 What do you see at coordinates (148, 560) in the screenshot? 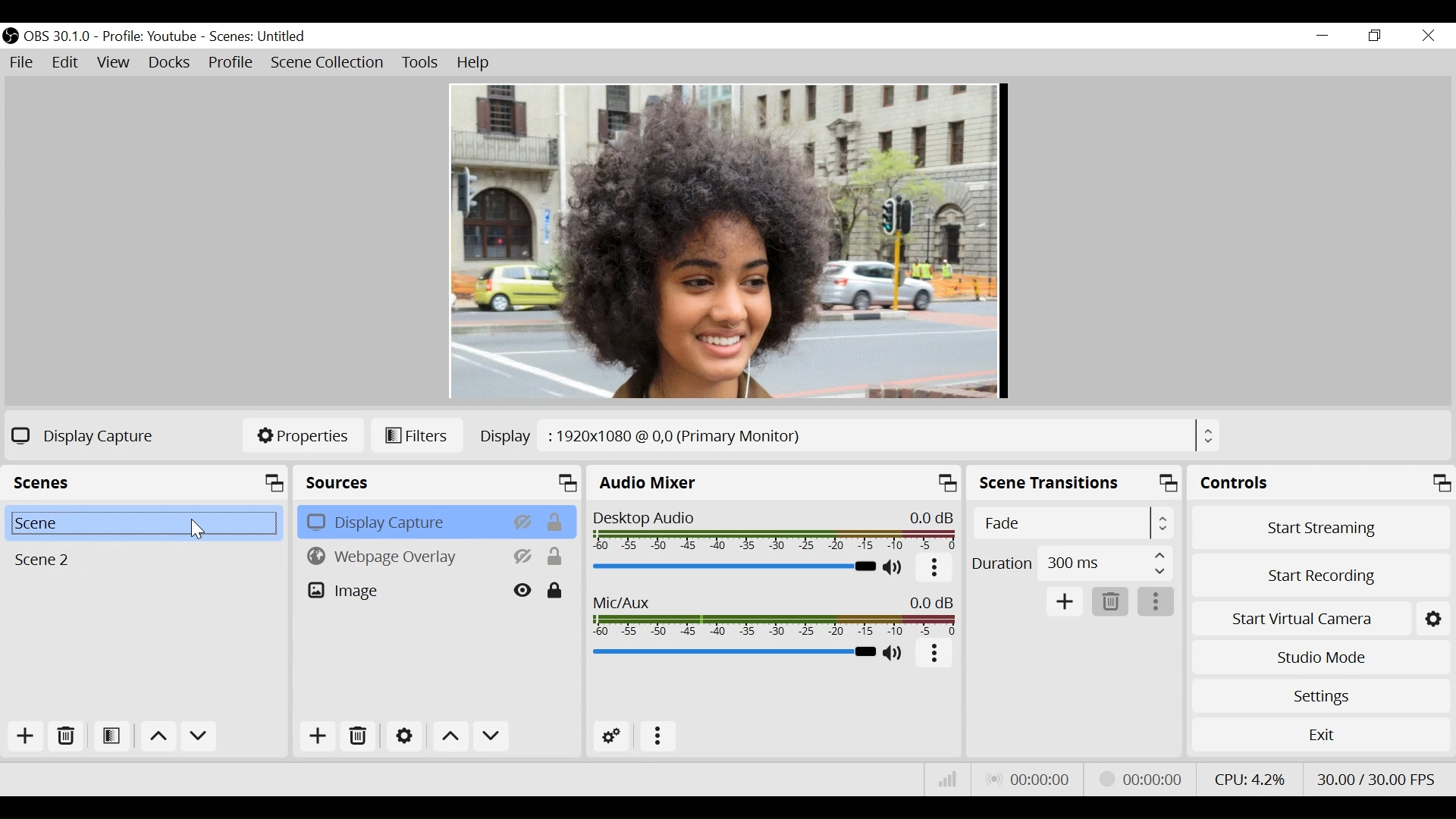
I see `Scene` at bounding box center [148, 560].